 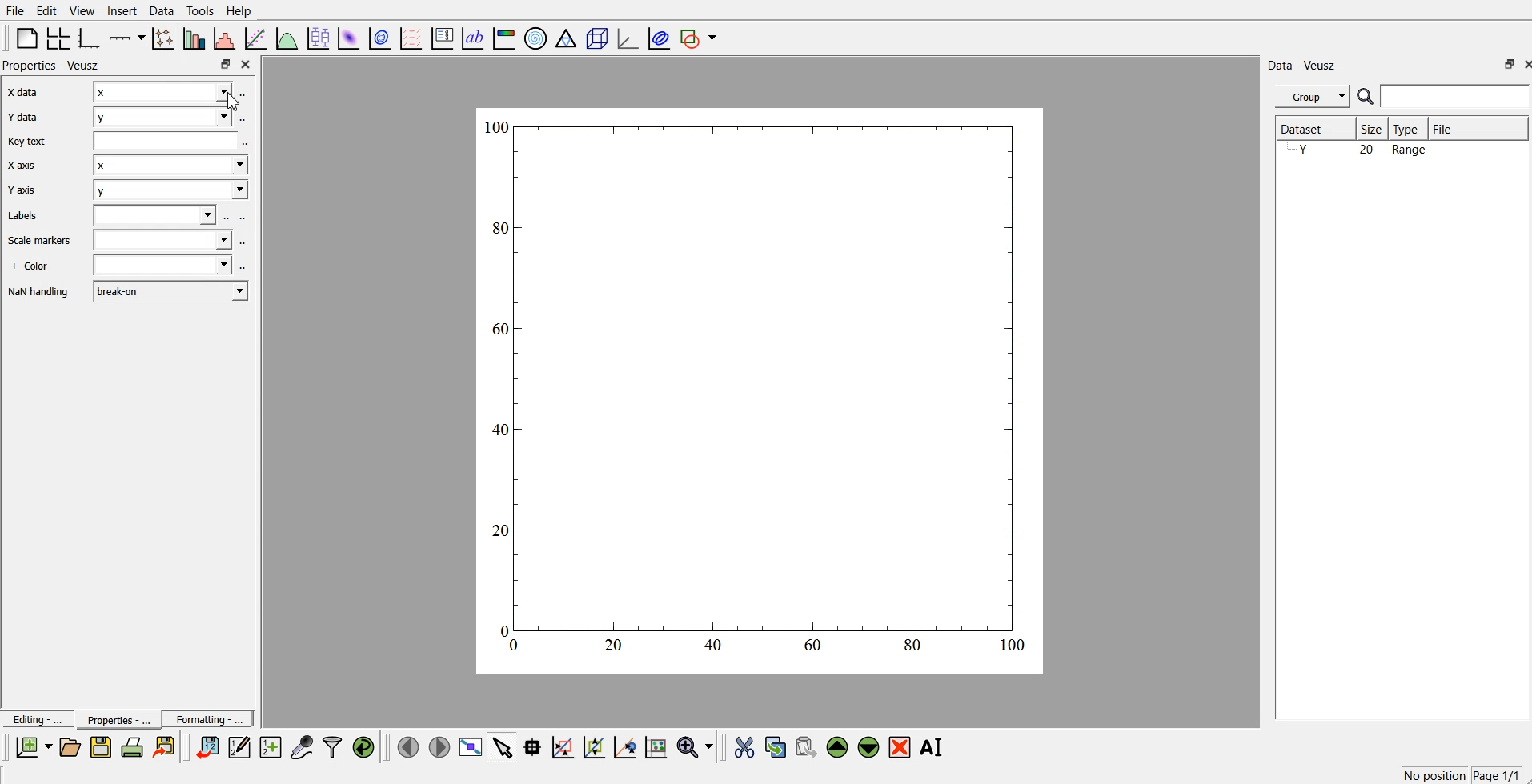 What do you see at coordinates (563, 746) in the screenshot?
I see `click to draw rectangle` at bounding box center [563, 746].